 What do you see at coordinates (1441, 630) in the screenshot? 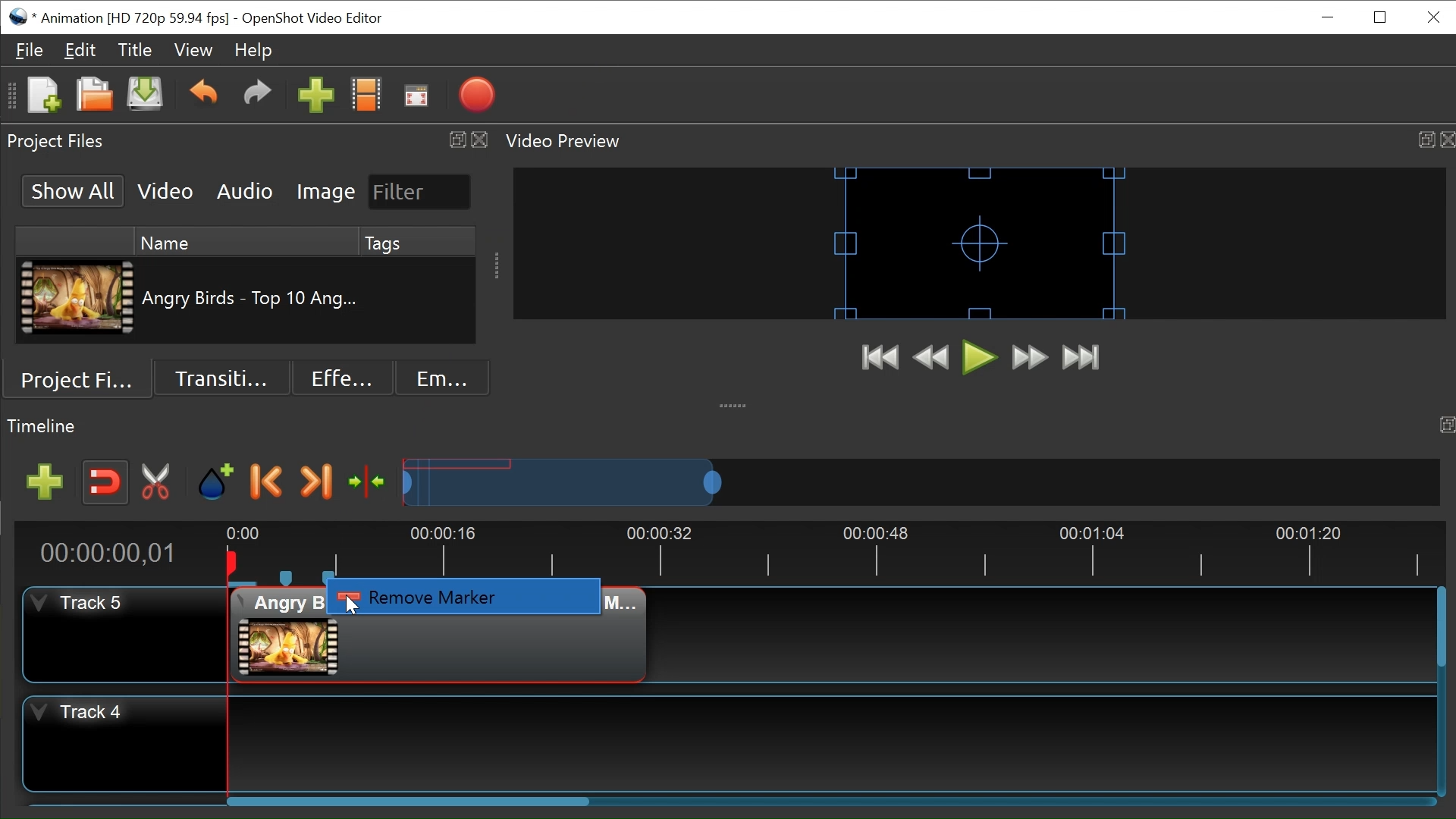
I see `Vertical Scroll bar` at bounding box center [1441, 630].